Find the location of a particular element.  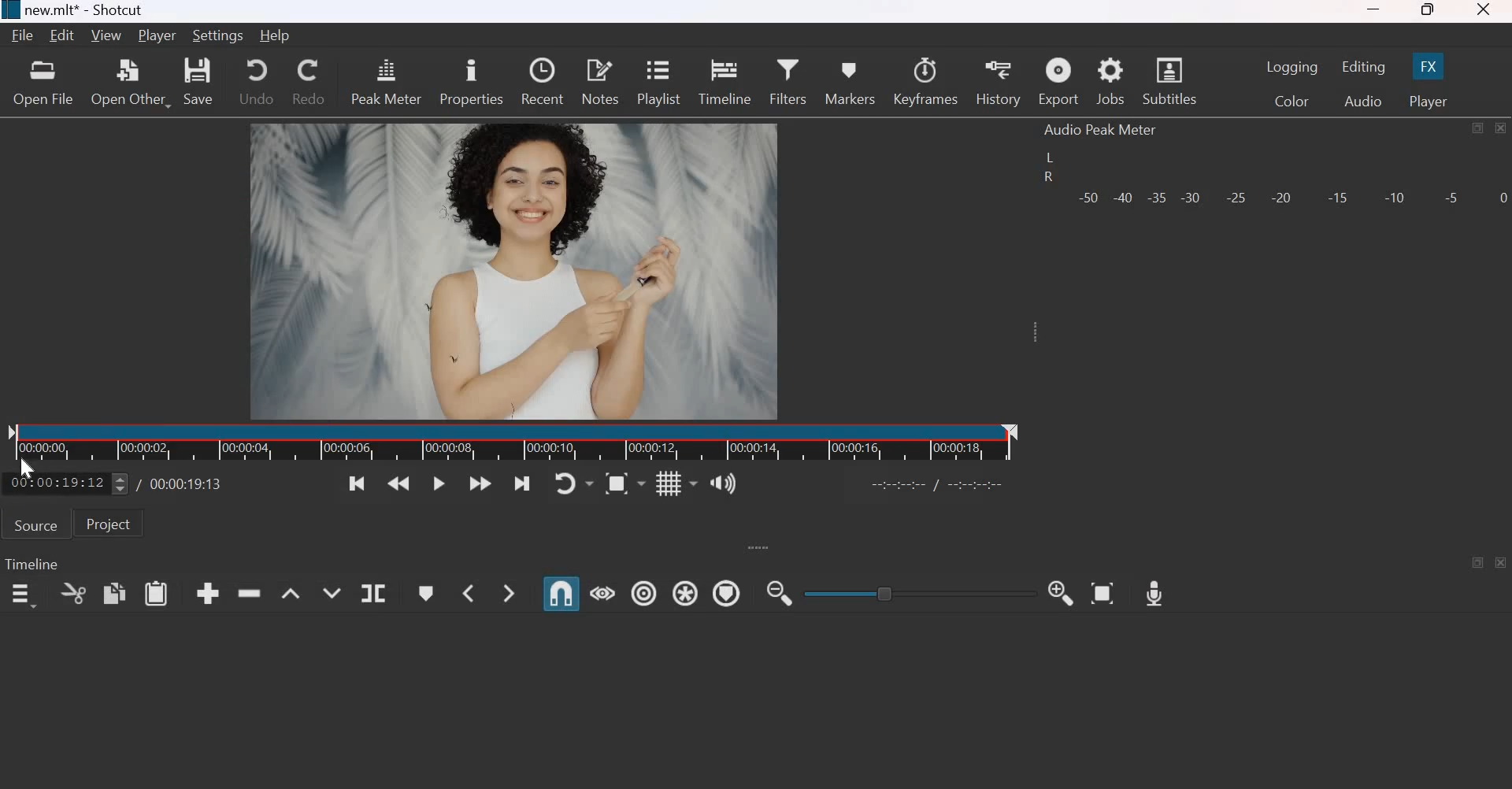

FX is located at coordinates (1426, 66).